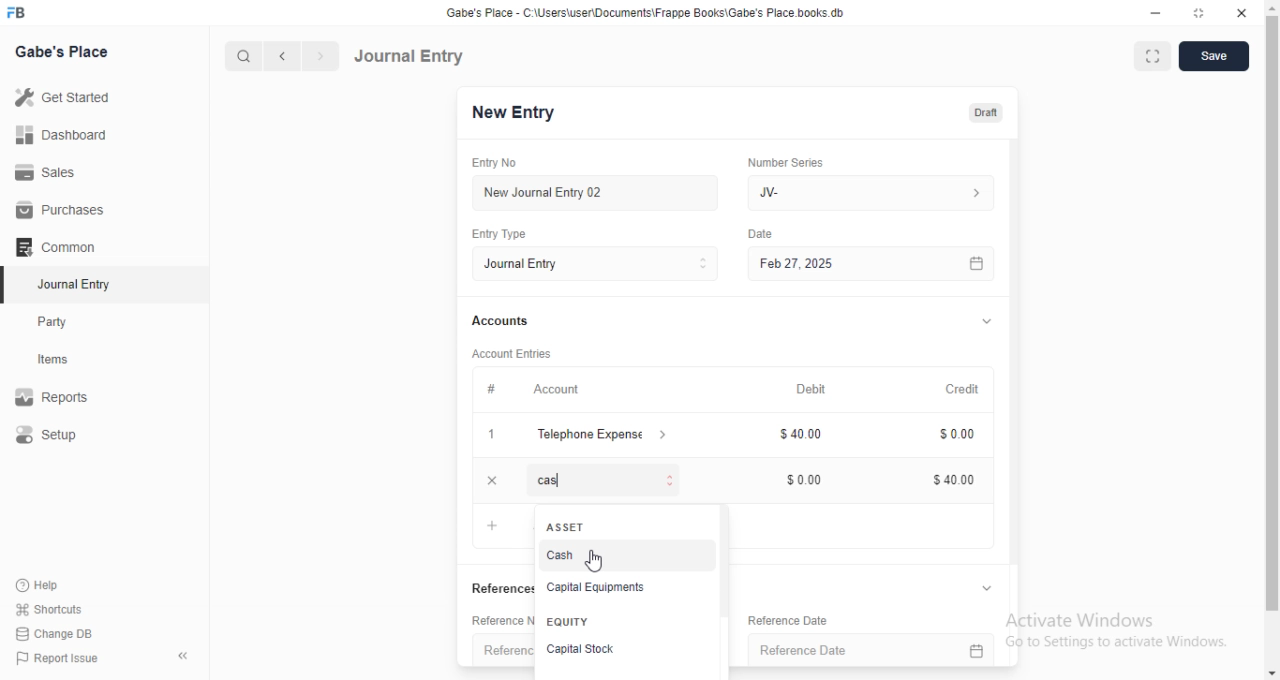 The height and width of the screenshot is (680, 1280). What do you see at coordinates (49, 174) in the screenshot?
I see `Sales` at bounding box center [49, 174].